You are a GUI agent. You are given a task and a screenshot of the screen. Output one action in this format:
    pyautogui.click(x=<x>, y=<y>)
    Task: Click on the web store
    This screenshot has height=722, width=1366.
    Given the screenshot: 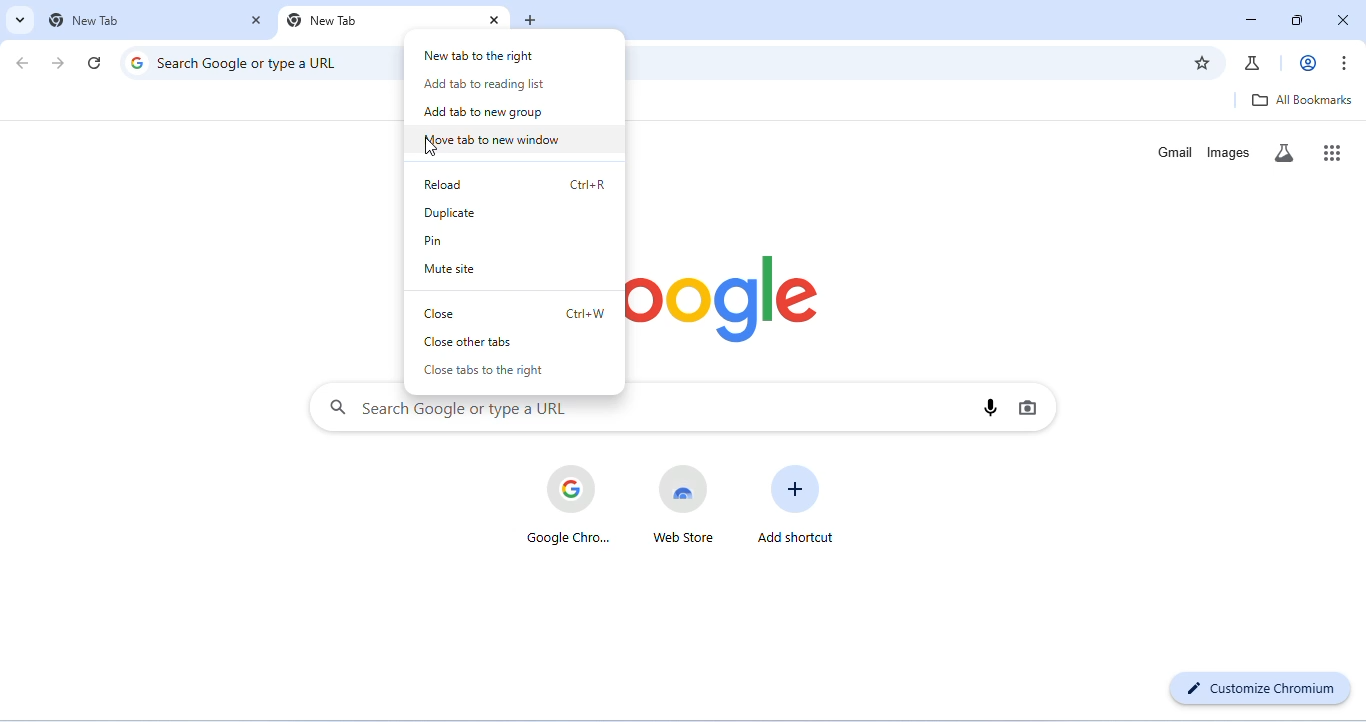 What is the action you would take?
    pyautogui.click(x=684, y=503)
    